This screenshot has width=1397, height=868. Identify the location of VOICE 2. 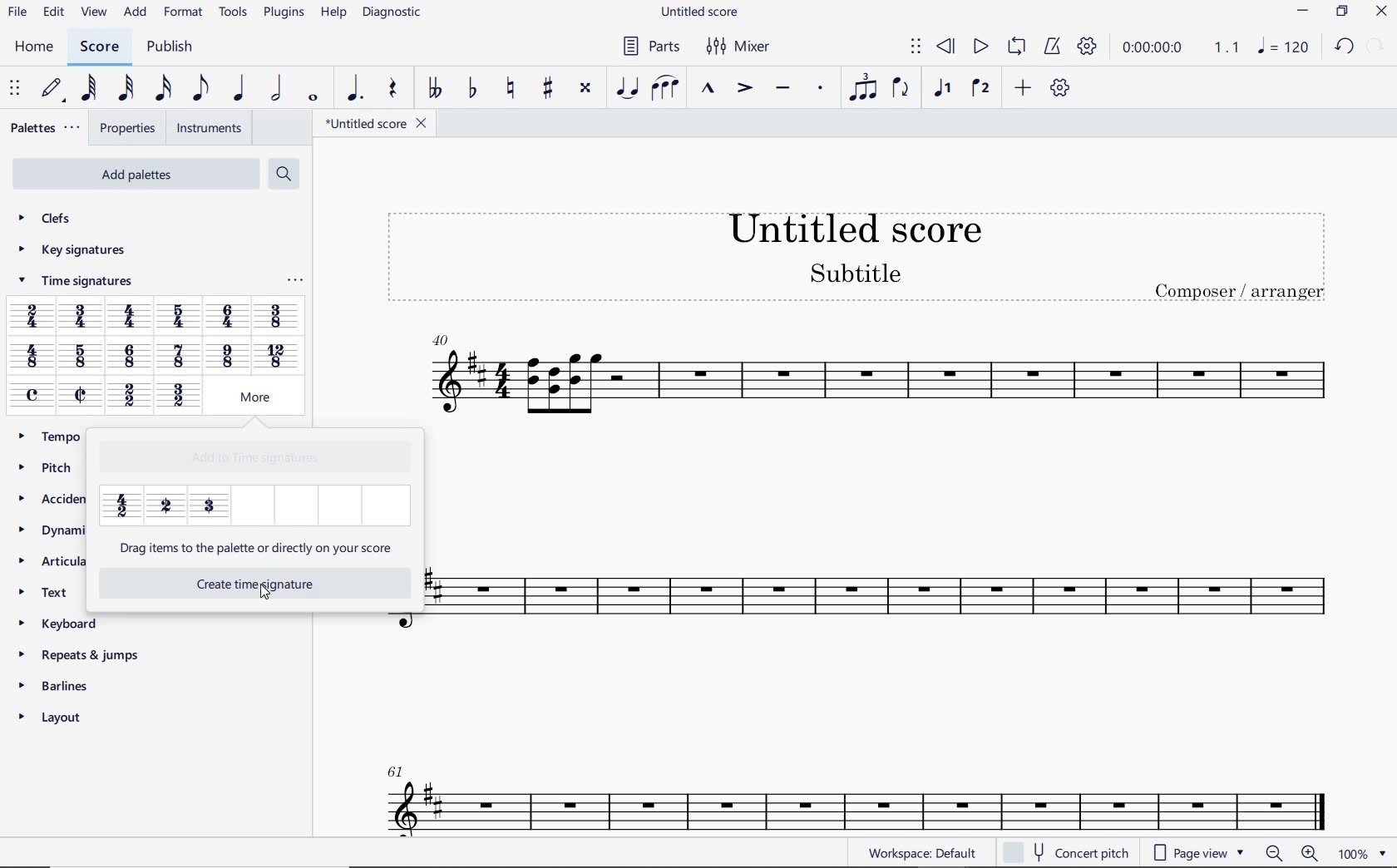
(980, 89).